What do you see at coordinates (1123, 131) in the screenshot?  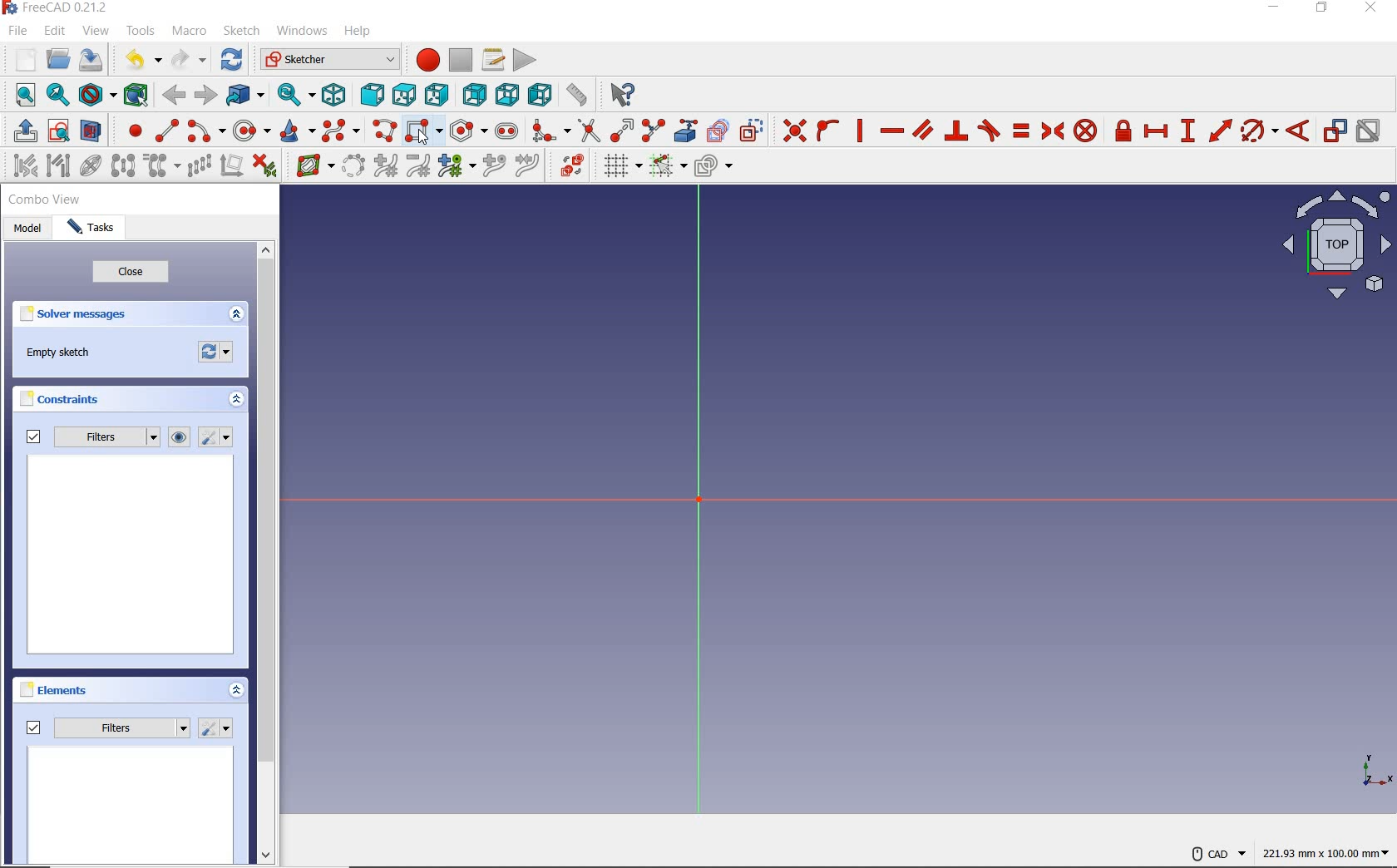 I see `constrain lock` at bounding box center [1123, 131].